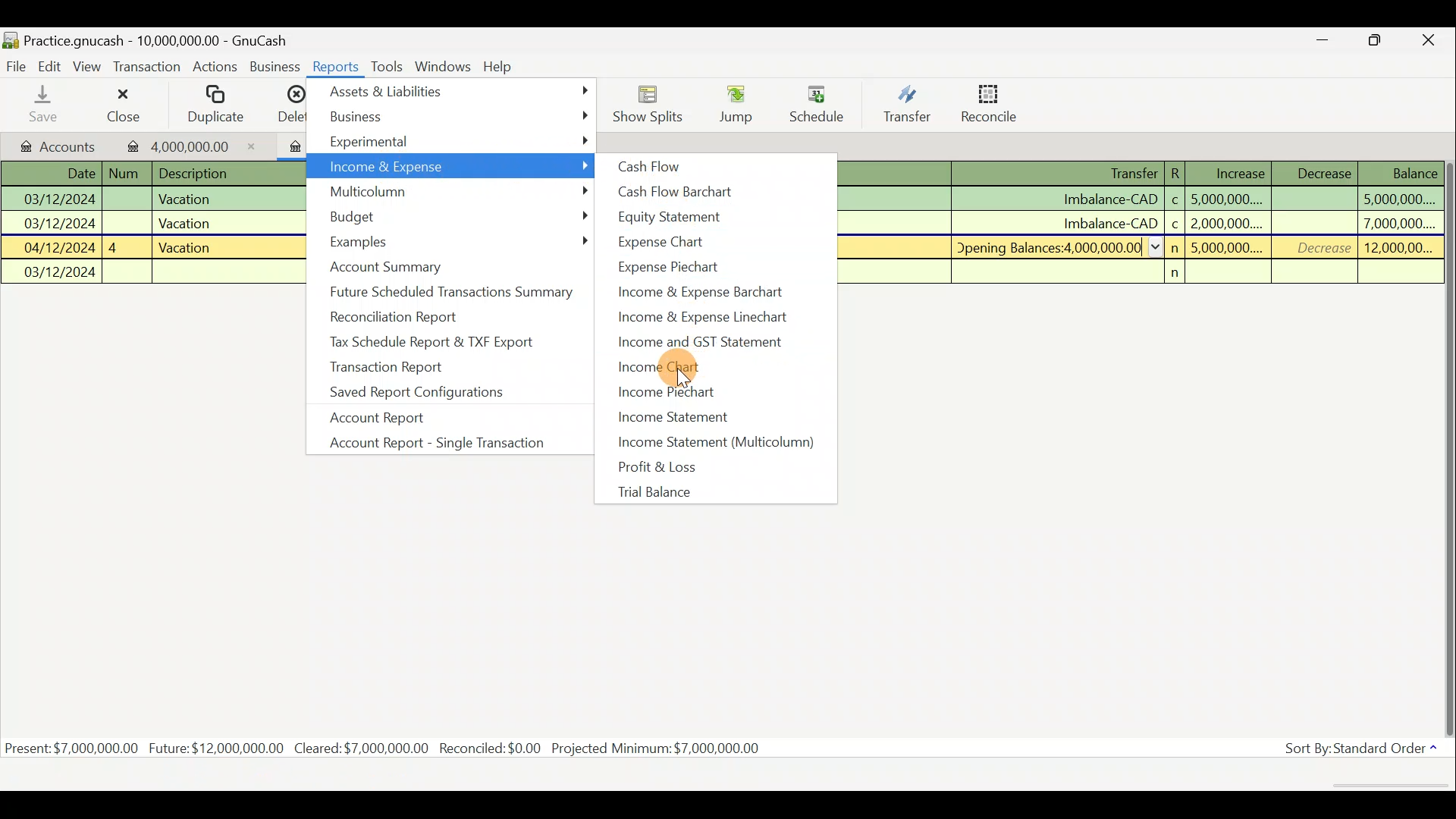 The width and height of the screenshot is (1456, 819). Describe the element at coordinates (121, 103) in the screenshot. I see `Close` at that location.